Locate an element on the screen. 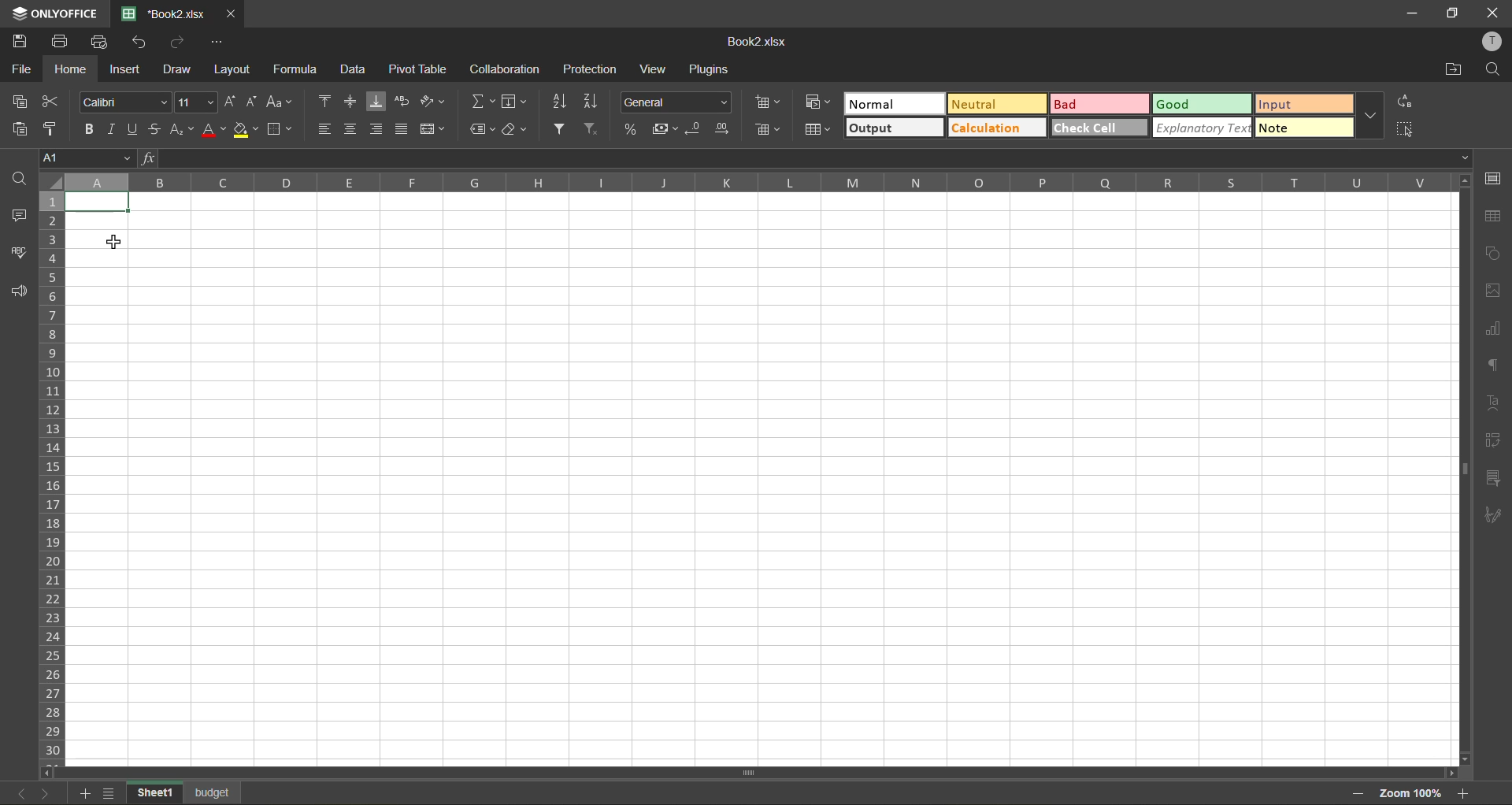 The width and height of the screenshot is (1512, 805). view is located at coordinates (657, 69).